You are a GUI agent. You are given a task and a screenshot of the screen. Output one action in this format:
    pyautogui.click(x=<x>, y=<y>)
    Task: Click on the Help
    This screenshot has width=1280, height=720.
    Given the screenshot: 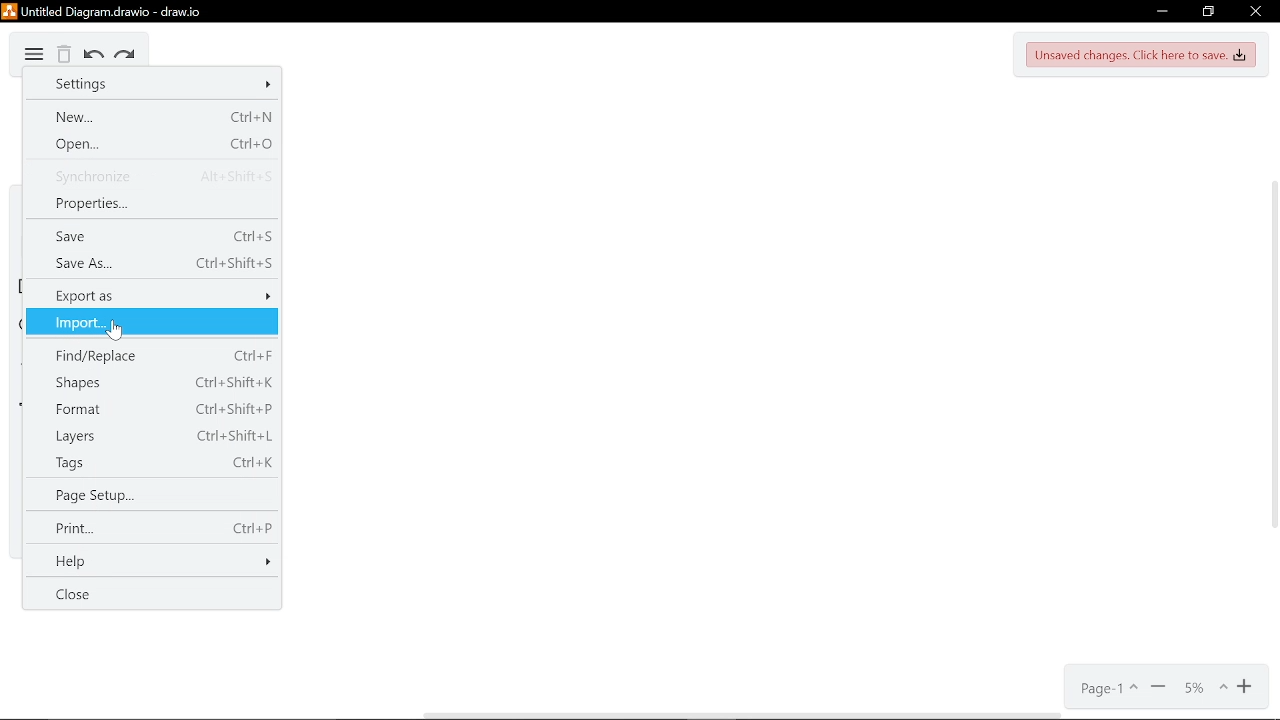 What is the action you would take?
    pyautogui.click(x=149, y=560)
    